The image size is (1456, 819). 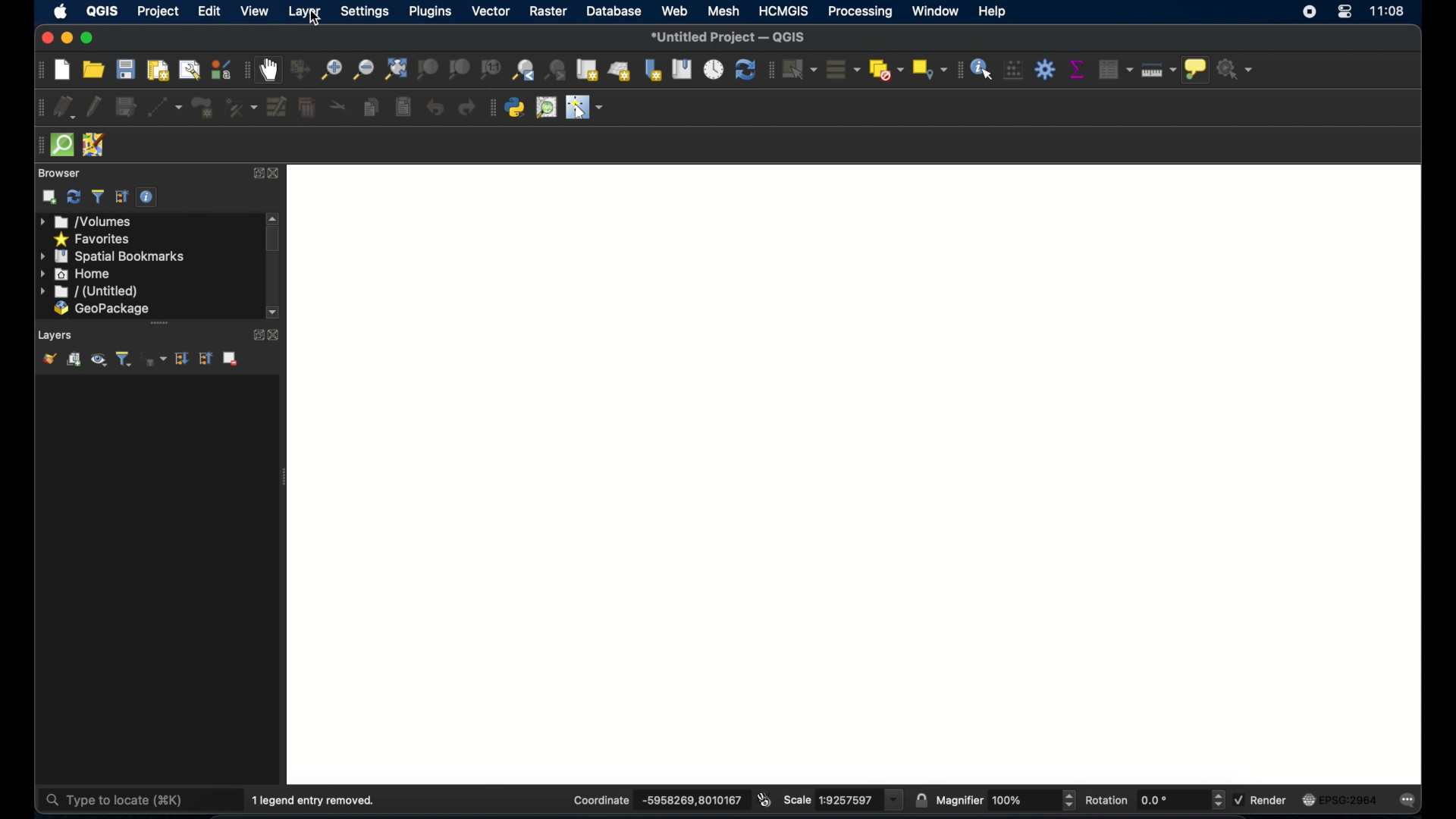 What do you see at coordinates (1107, 799) in the screenshot?
I see `rotations` at bounding box center [1107, 799].